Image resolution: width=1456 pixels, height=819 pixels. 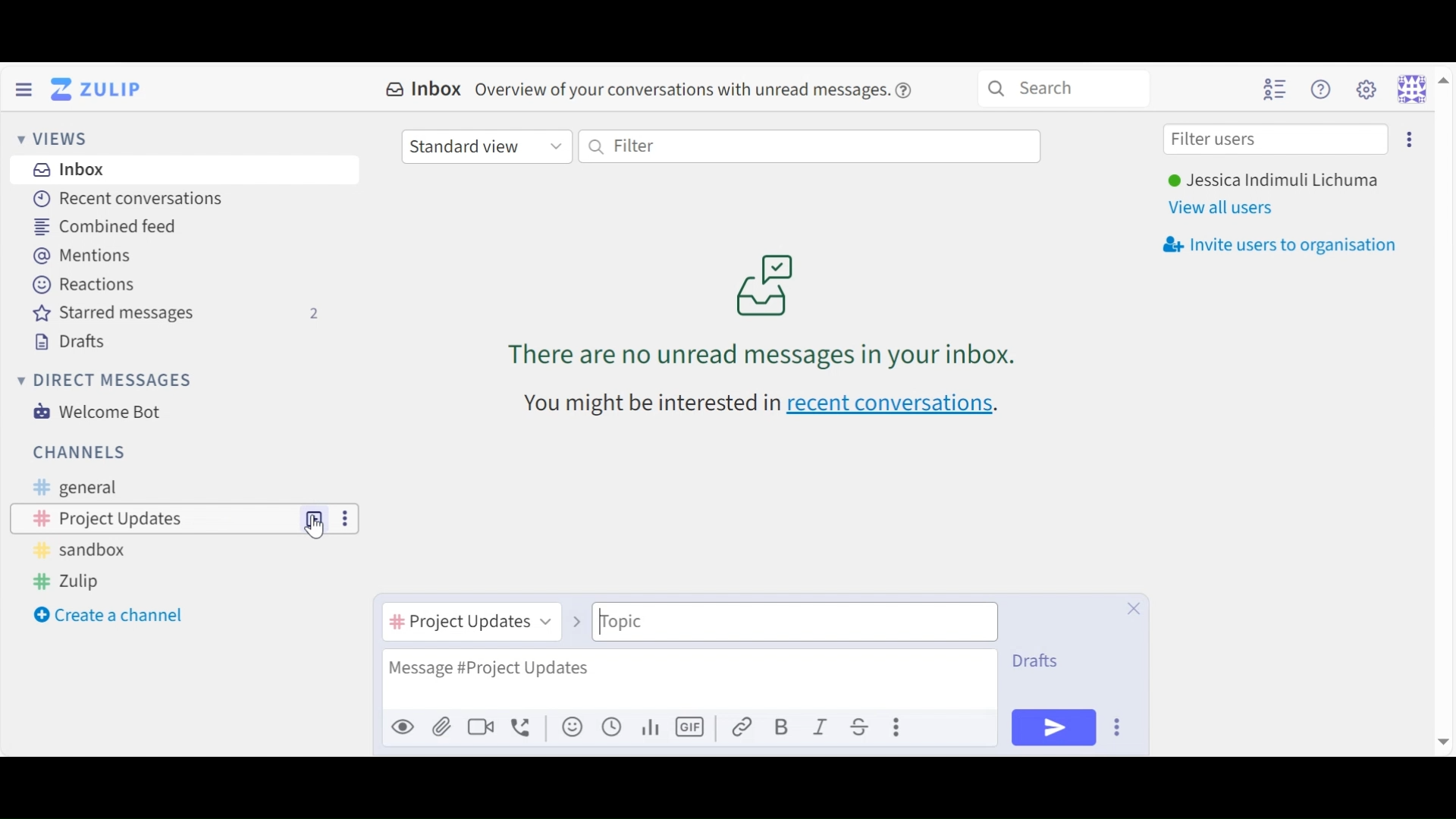 I want to click on Cursor, so click(x=317, y=532).